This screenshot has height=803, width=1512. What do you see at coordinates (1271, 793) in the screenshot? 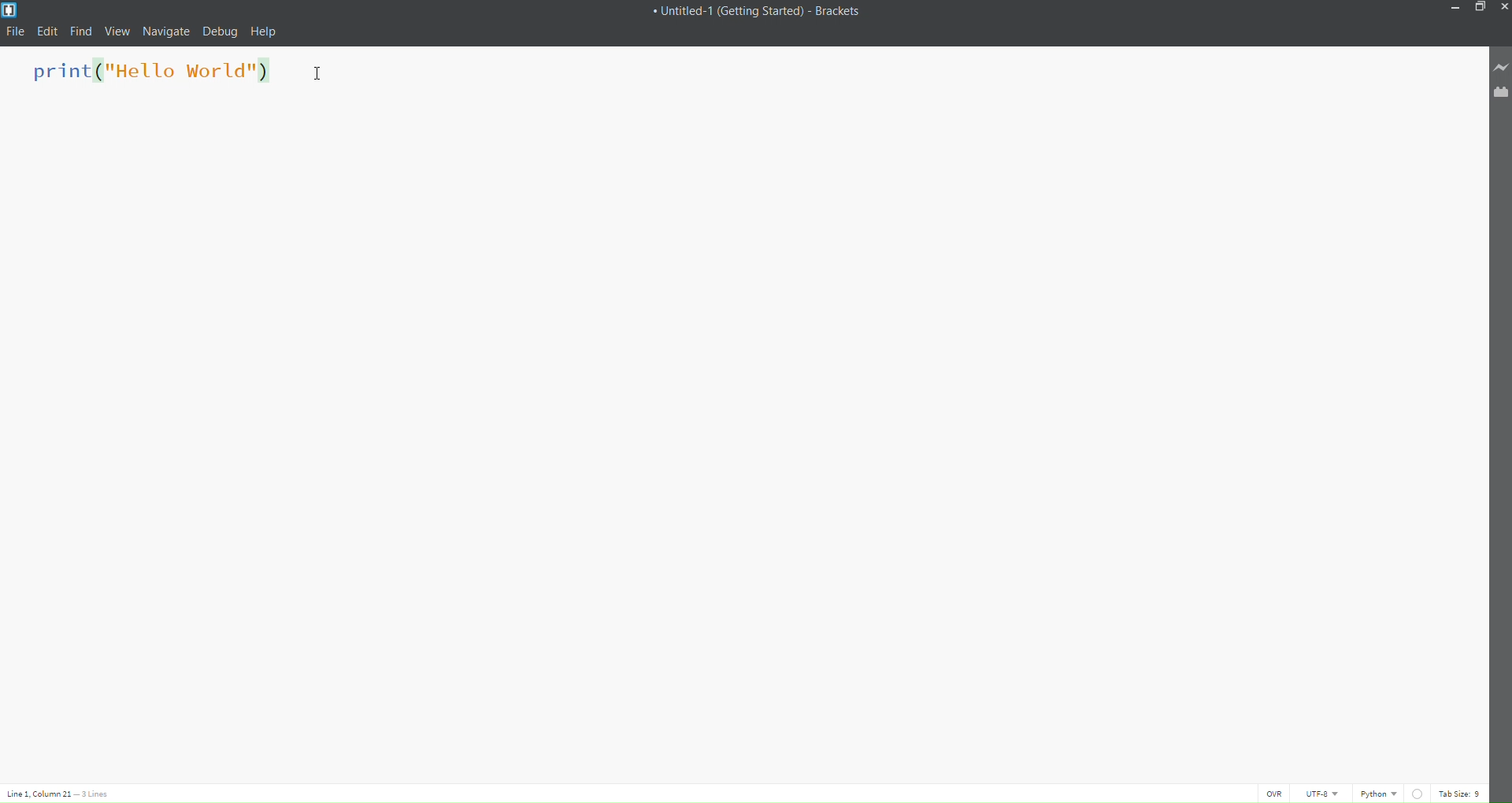
I see `ovr` at bounding box center [1271, 793].